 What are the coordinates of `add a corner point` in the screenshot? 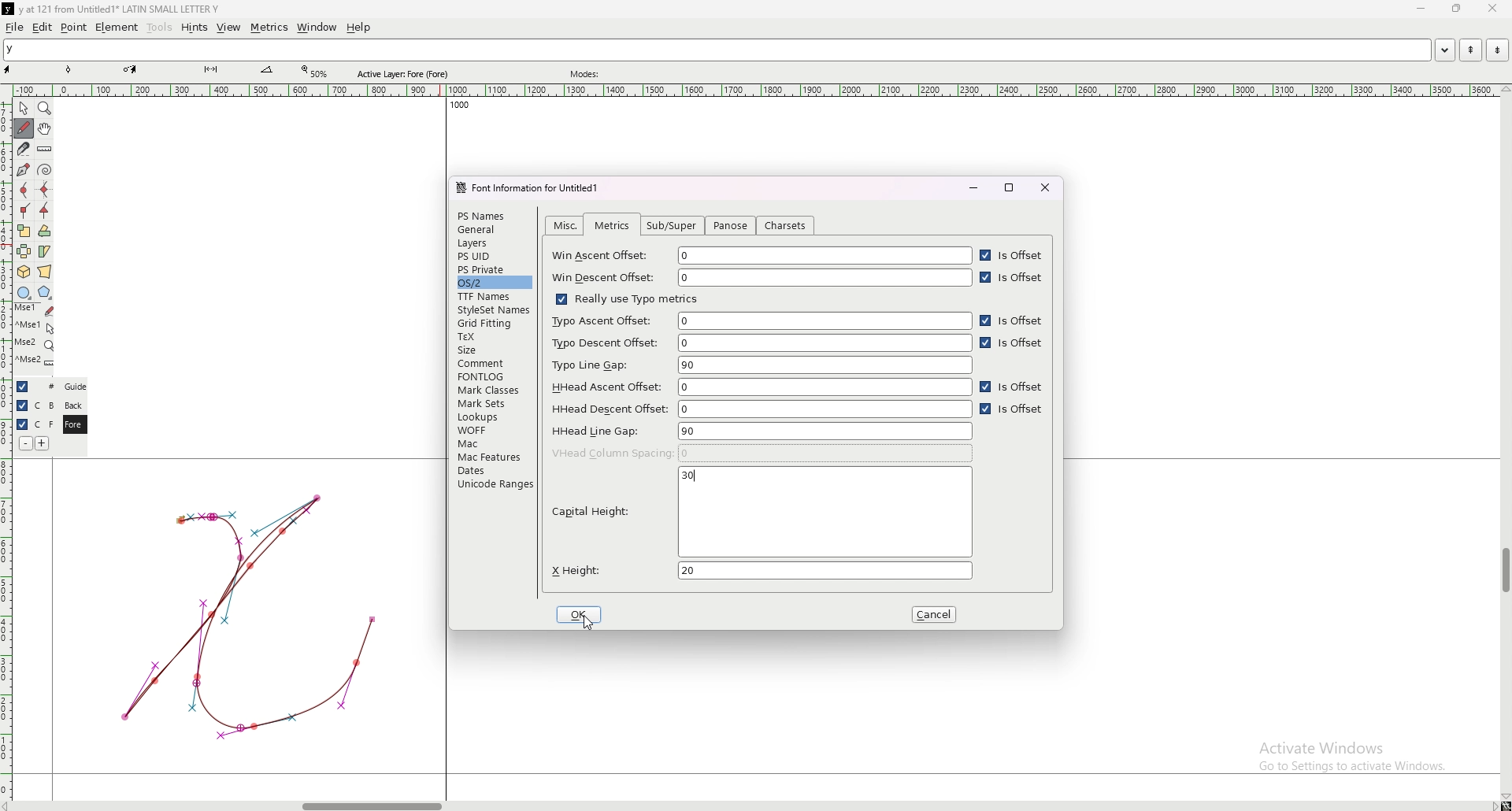 It's located at (24, 210).